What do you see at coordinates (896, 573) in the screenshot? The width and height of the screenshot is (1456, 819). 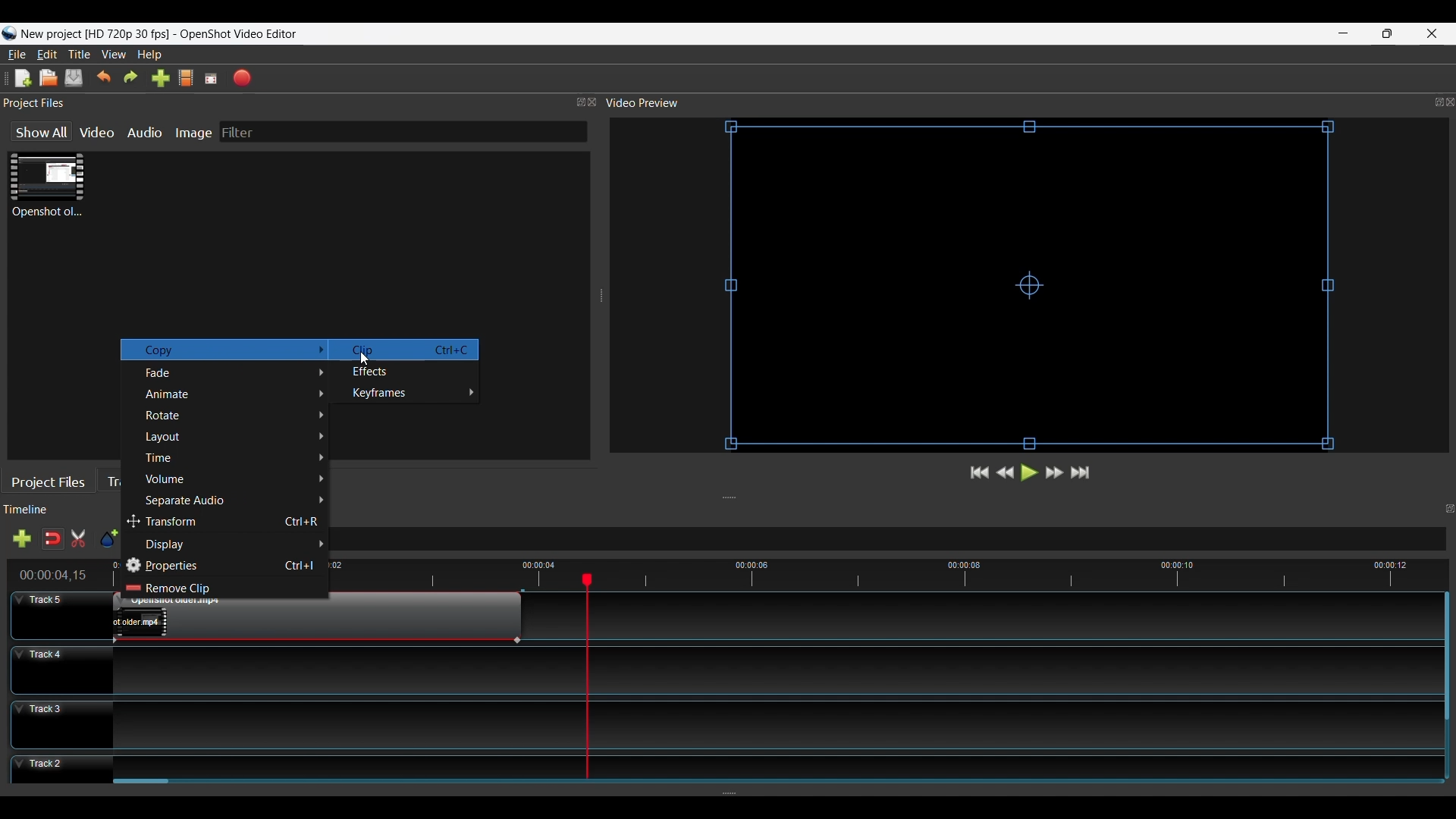 I see `Timeline` at bounding box center [896, 573].